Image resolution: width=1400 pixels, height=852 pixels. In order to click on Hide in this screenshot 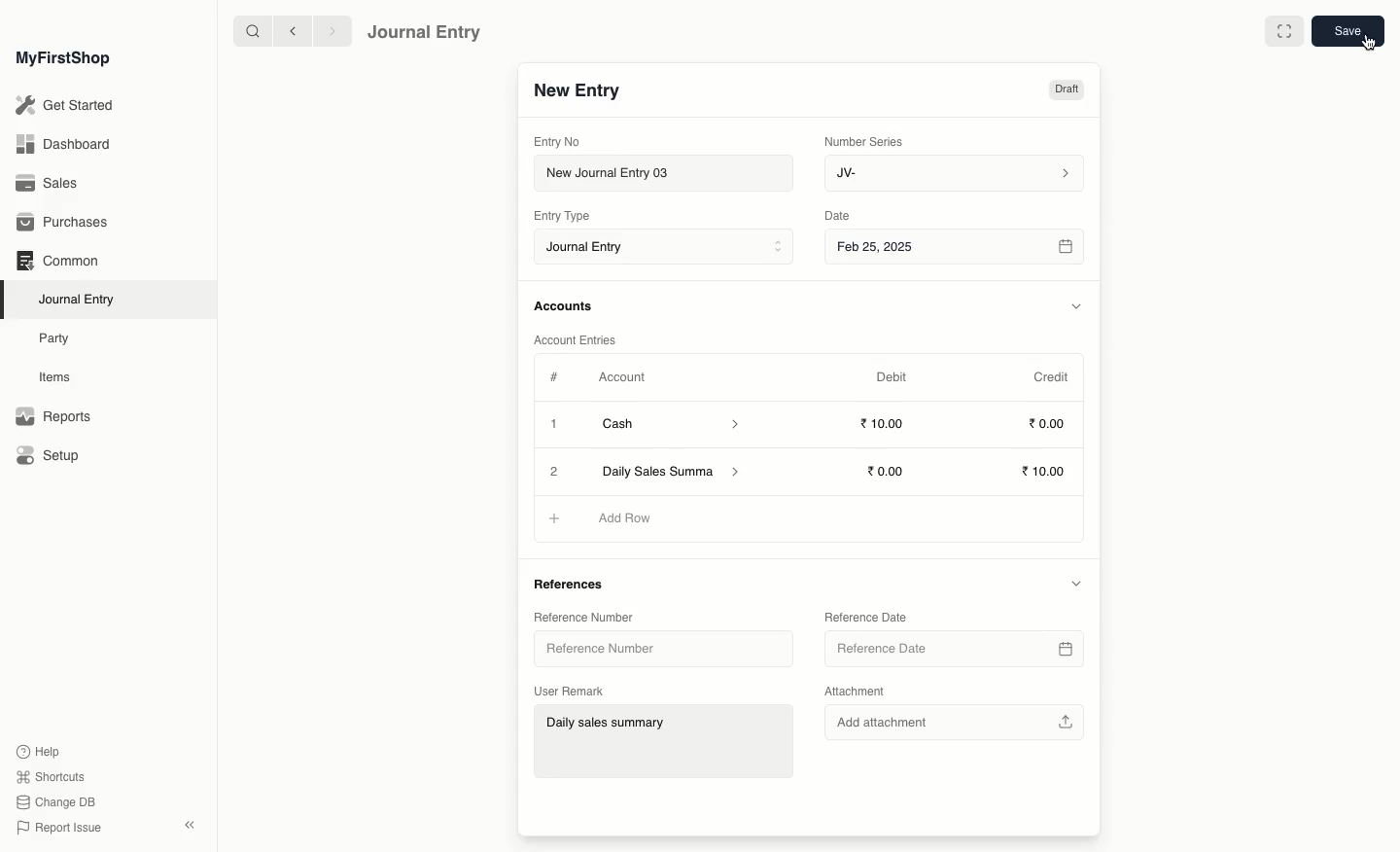, I will do `click(1077, 306)`.